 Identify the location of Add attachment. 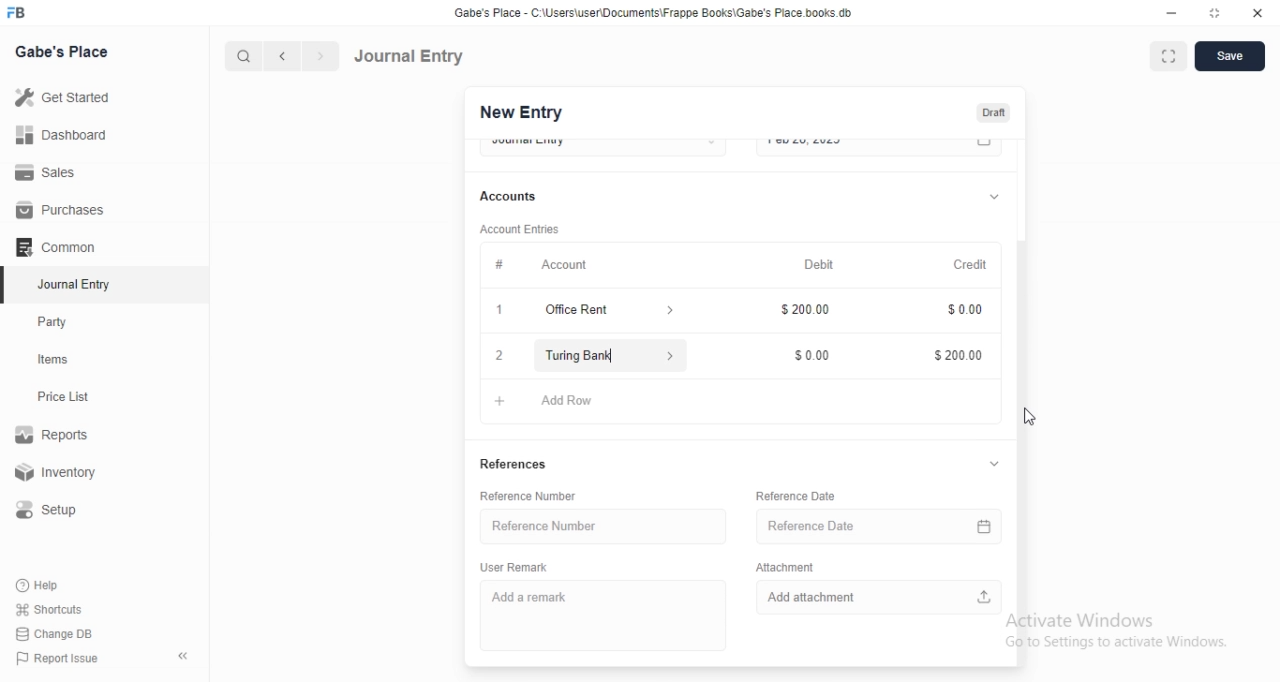
(882, 599).